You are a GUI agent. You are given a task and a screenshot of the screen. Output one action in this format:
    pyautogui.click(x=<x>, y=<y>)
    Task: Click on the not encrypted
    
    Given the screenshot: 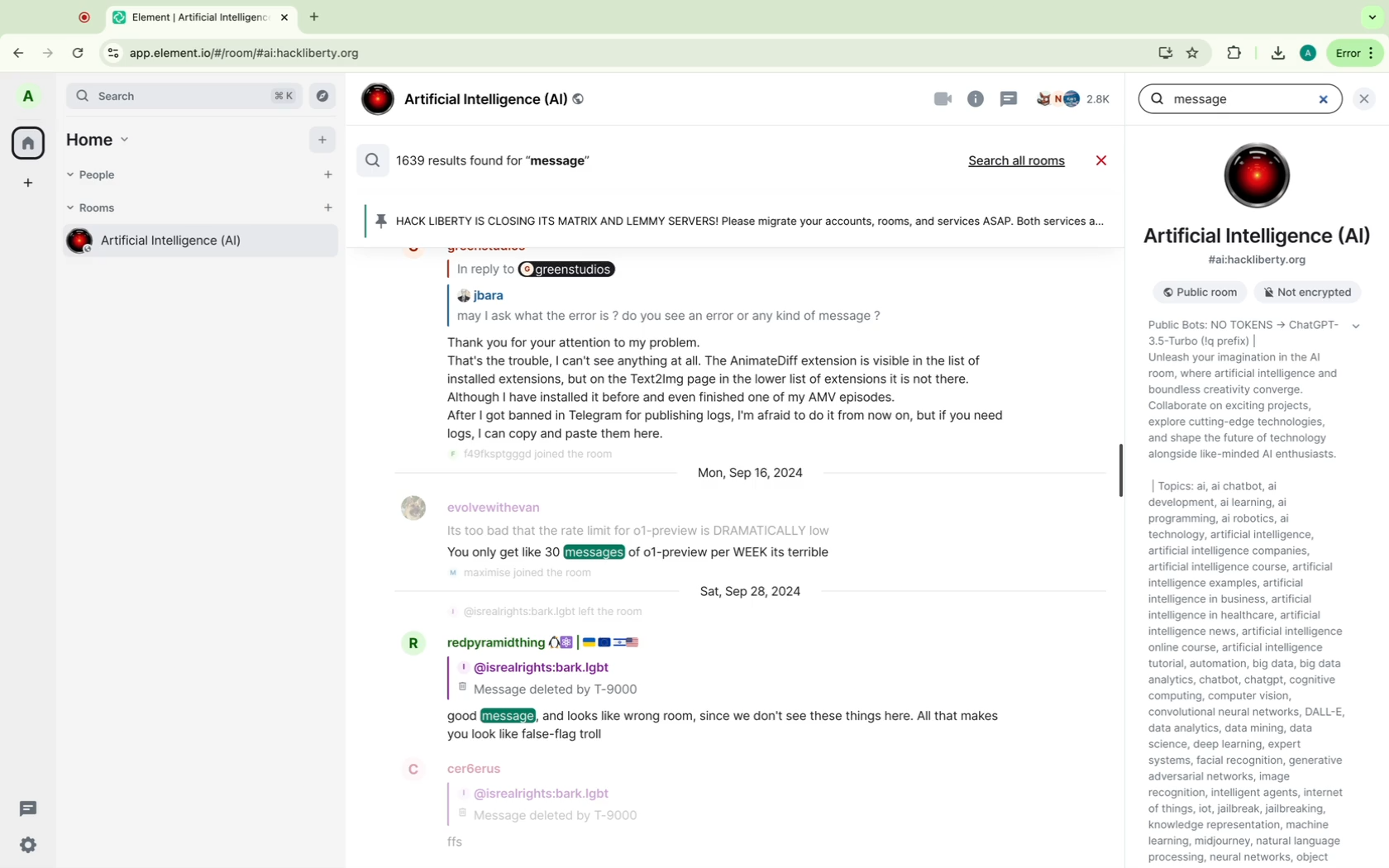 What is the action you would take?
    pyautogui.click(x=1302, y=293)
    